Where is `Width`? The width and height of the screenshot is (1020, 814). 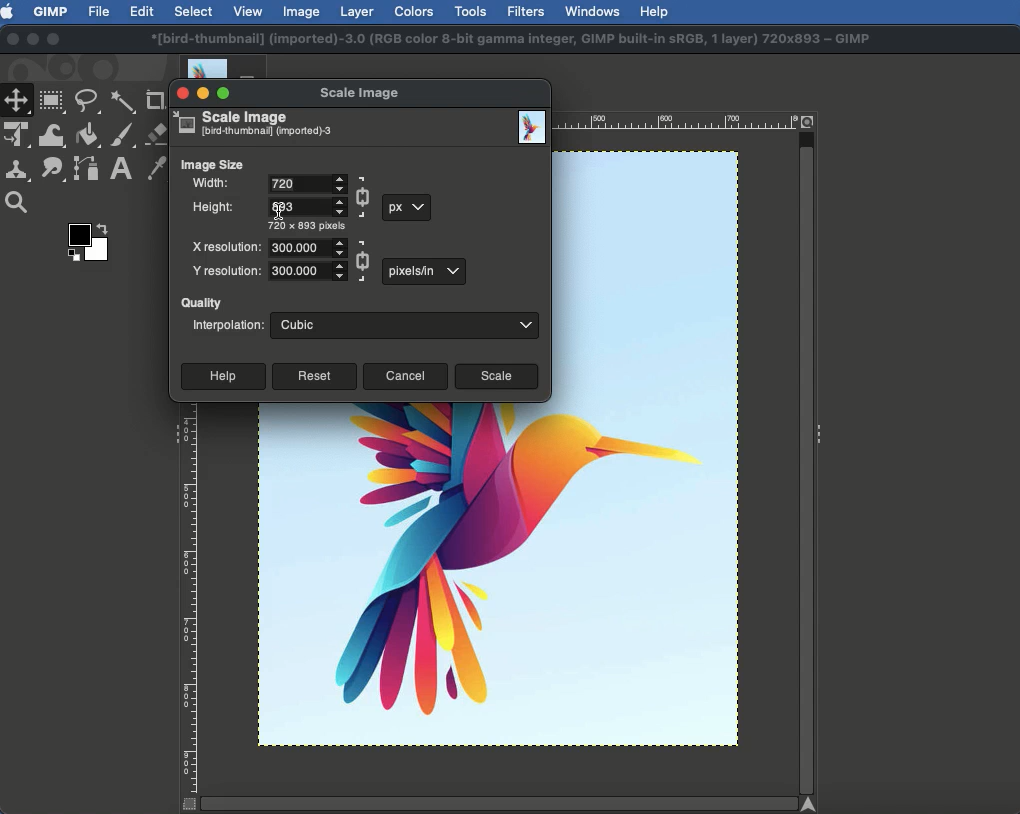 Width is located at coordinates (210, 184).